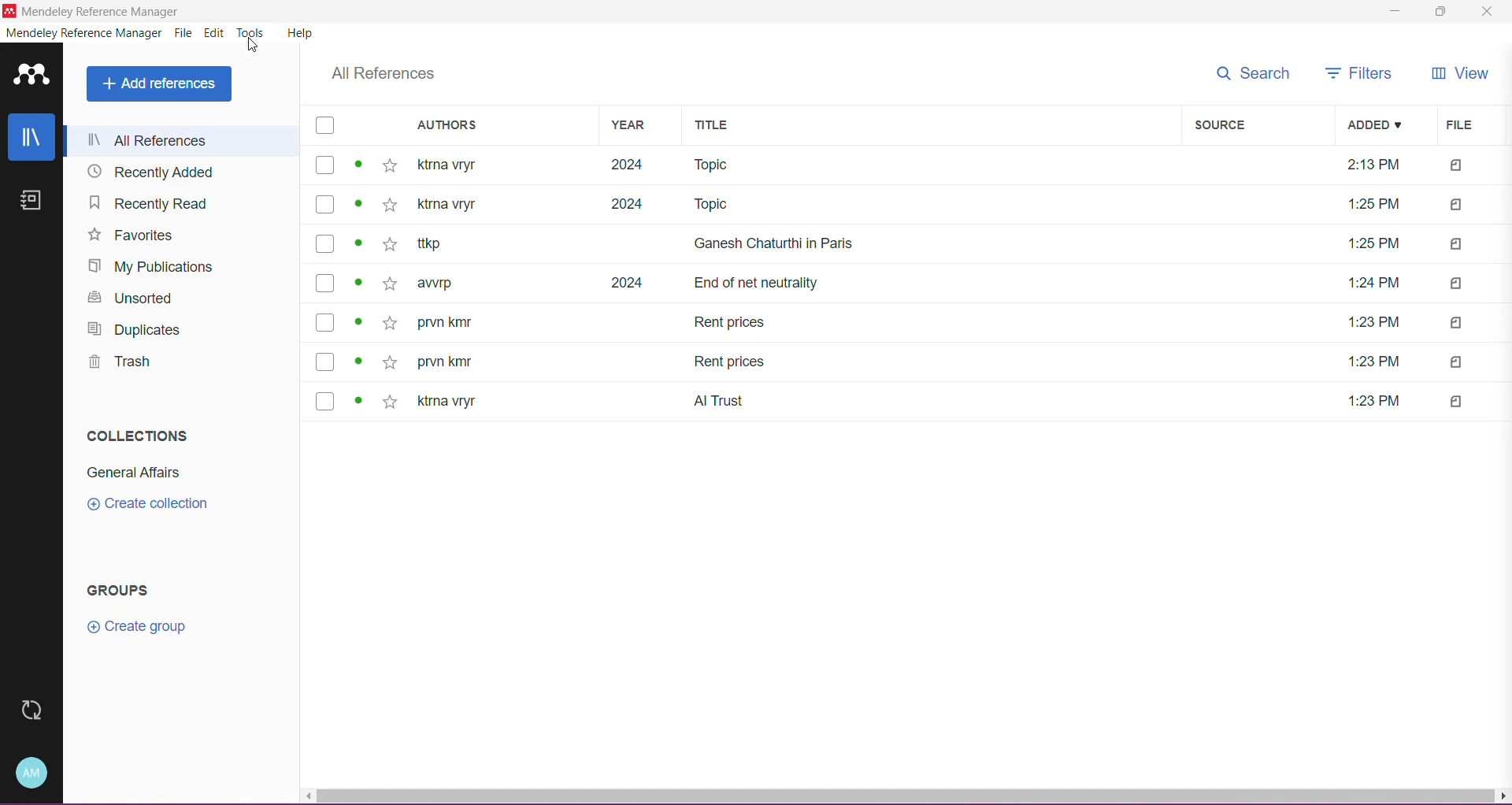 This screenshot has width=1512, height=805. What do you see at coordinates (1377, 284) in the screenshot?
I see `file` at bounding box center [1377, 284].